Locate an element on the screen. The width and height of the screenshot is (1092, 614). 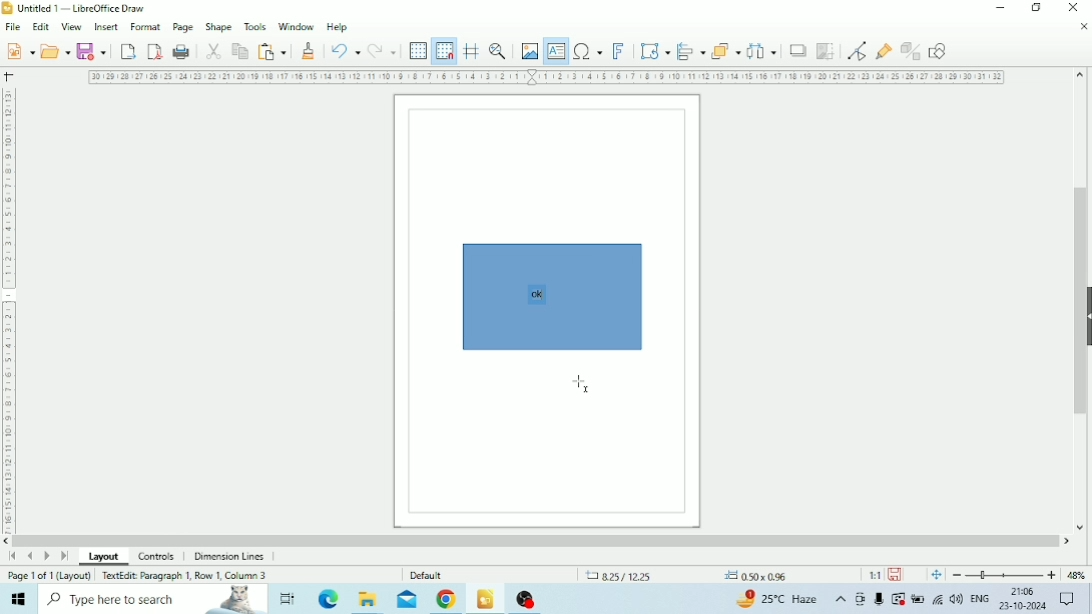
Show Draw Functions is located at coordinates (940, 52).